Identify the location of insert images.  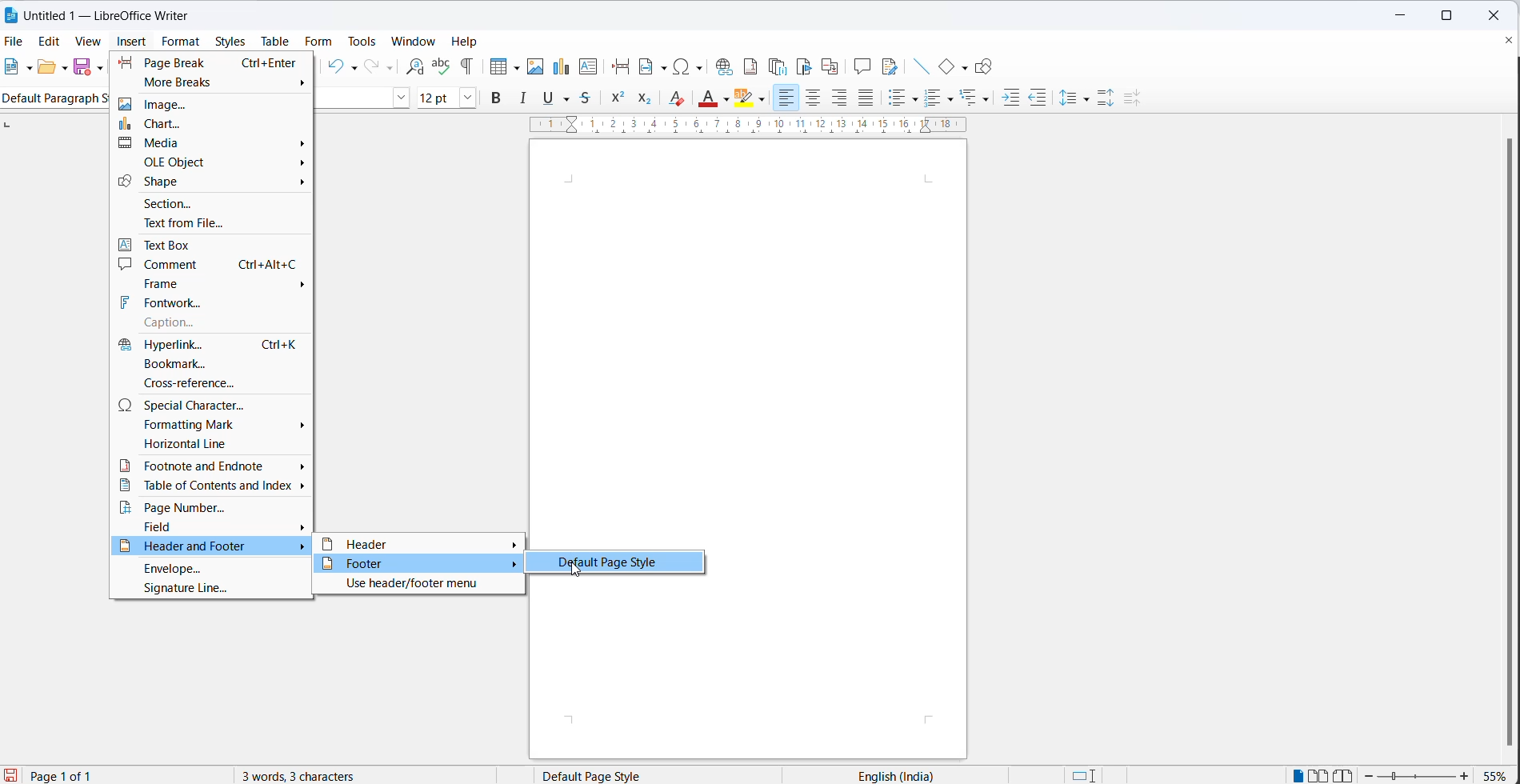
(535, 68).